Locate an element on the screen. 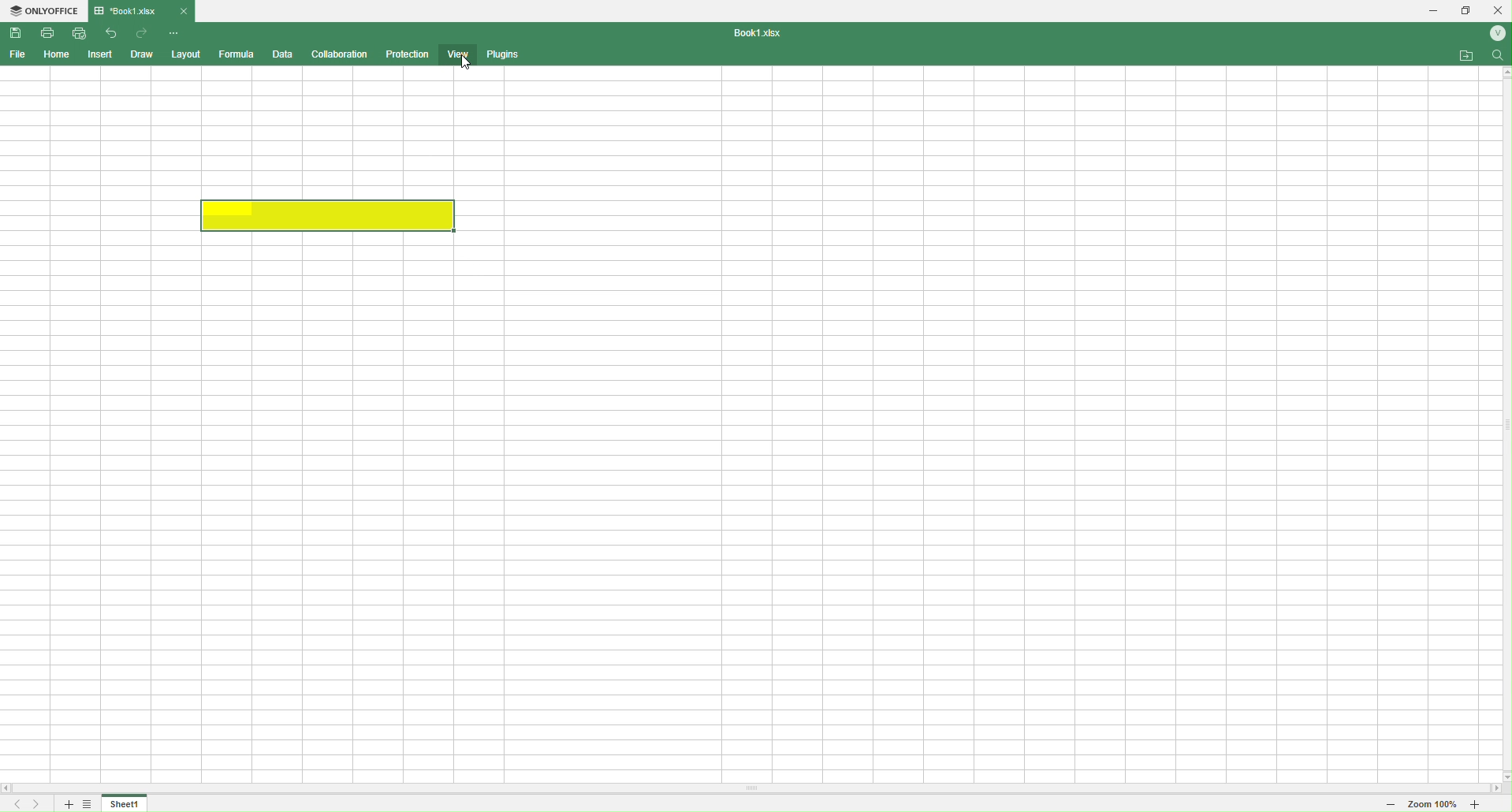 This screenshot has height=812, width=1512. Data is located at coordinates (281, 54).